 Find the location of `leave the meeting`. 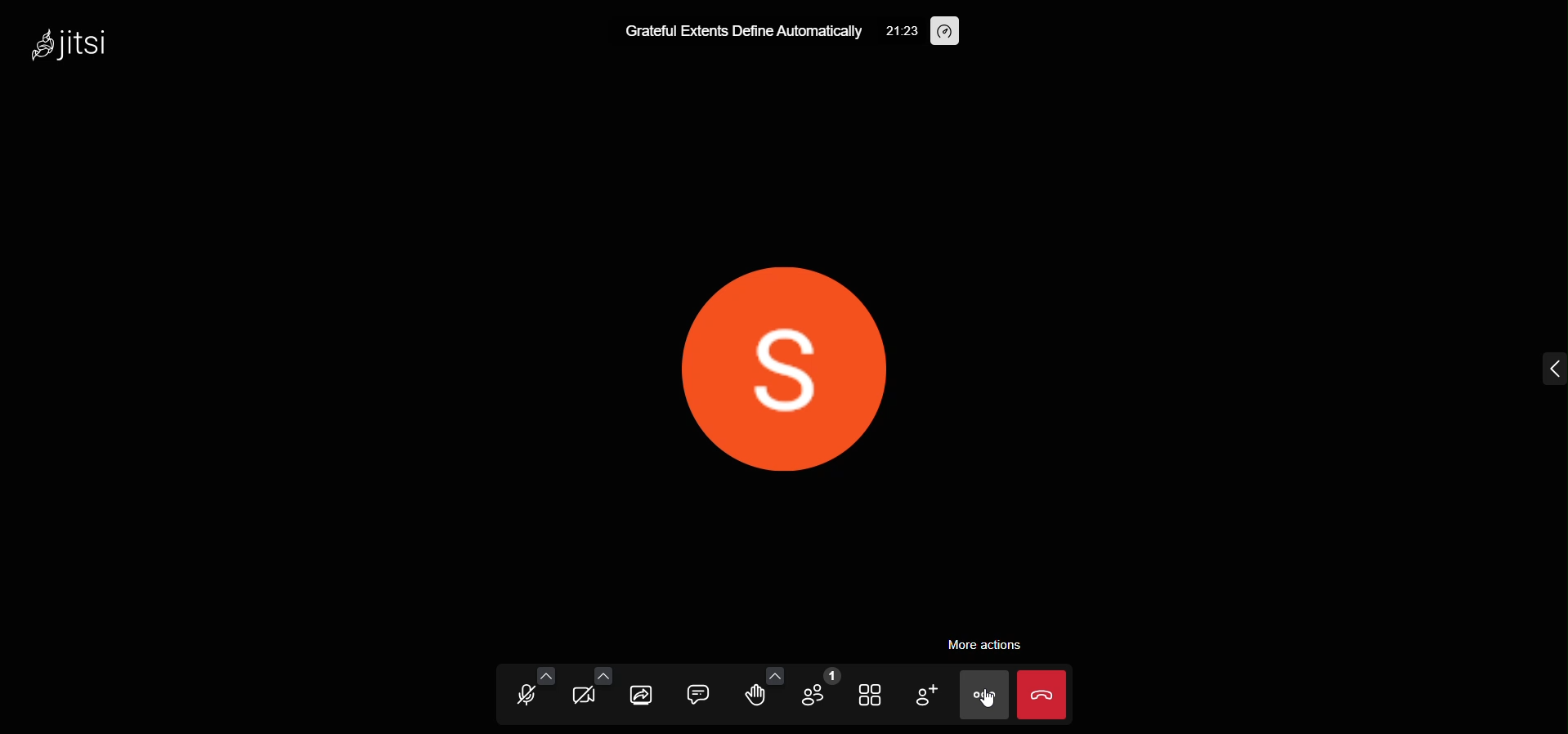

leave the meeting is located at coordinates (1042, 693).